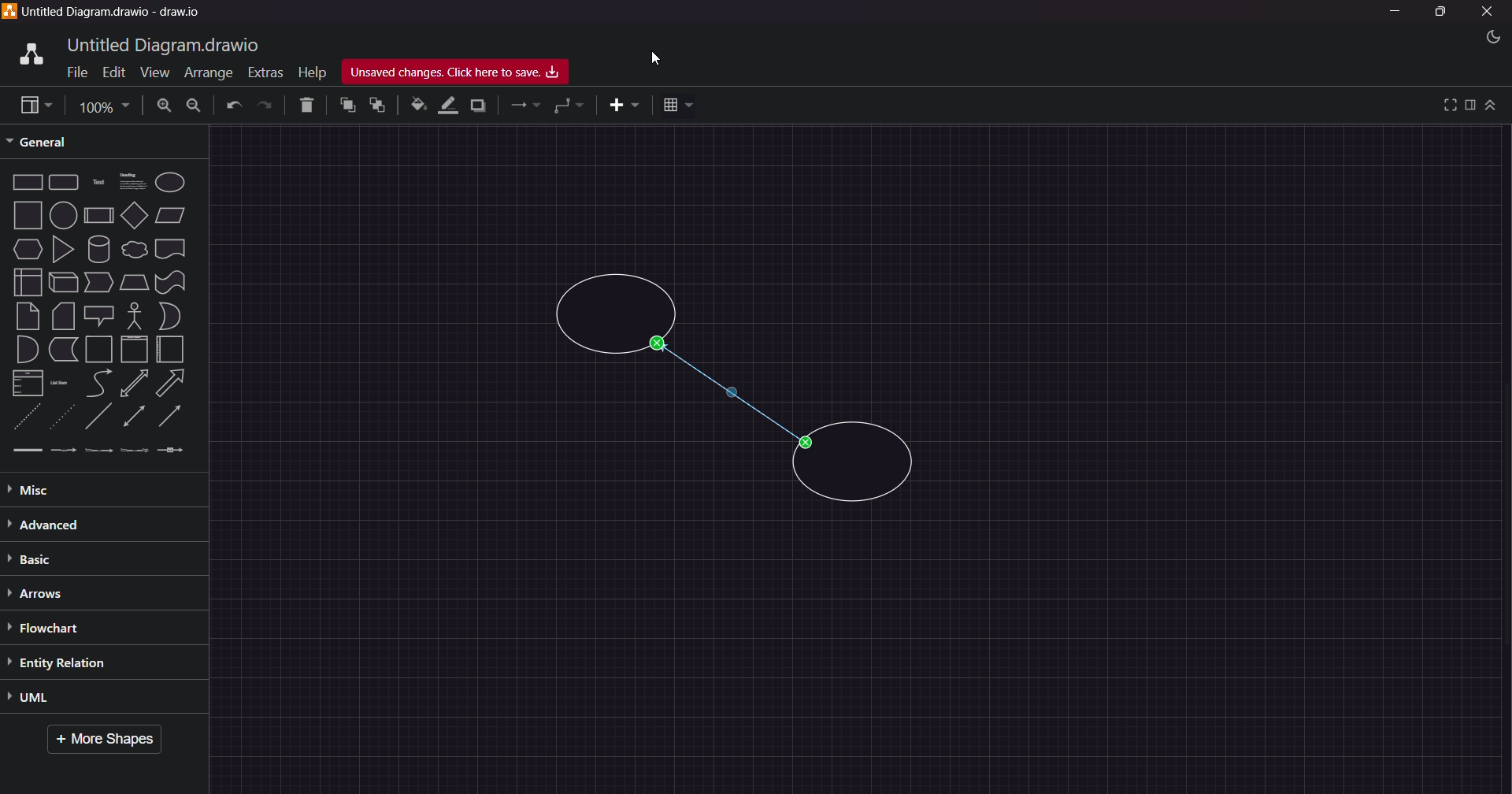 Image resolution: width=1512 pixels, height=794 pixels. Describe the element at coordinates (166, 43) in the screenshot. I see `title` at that location.